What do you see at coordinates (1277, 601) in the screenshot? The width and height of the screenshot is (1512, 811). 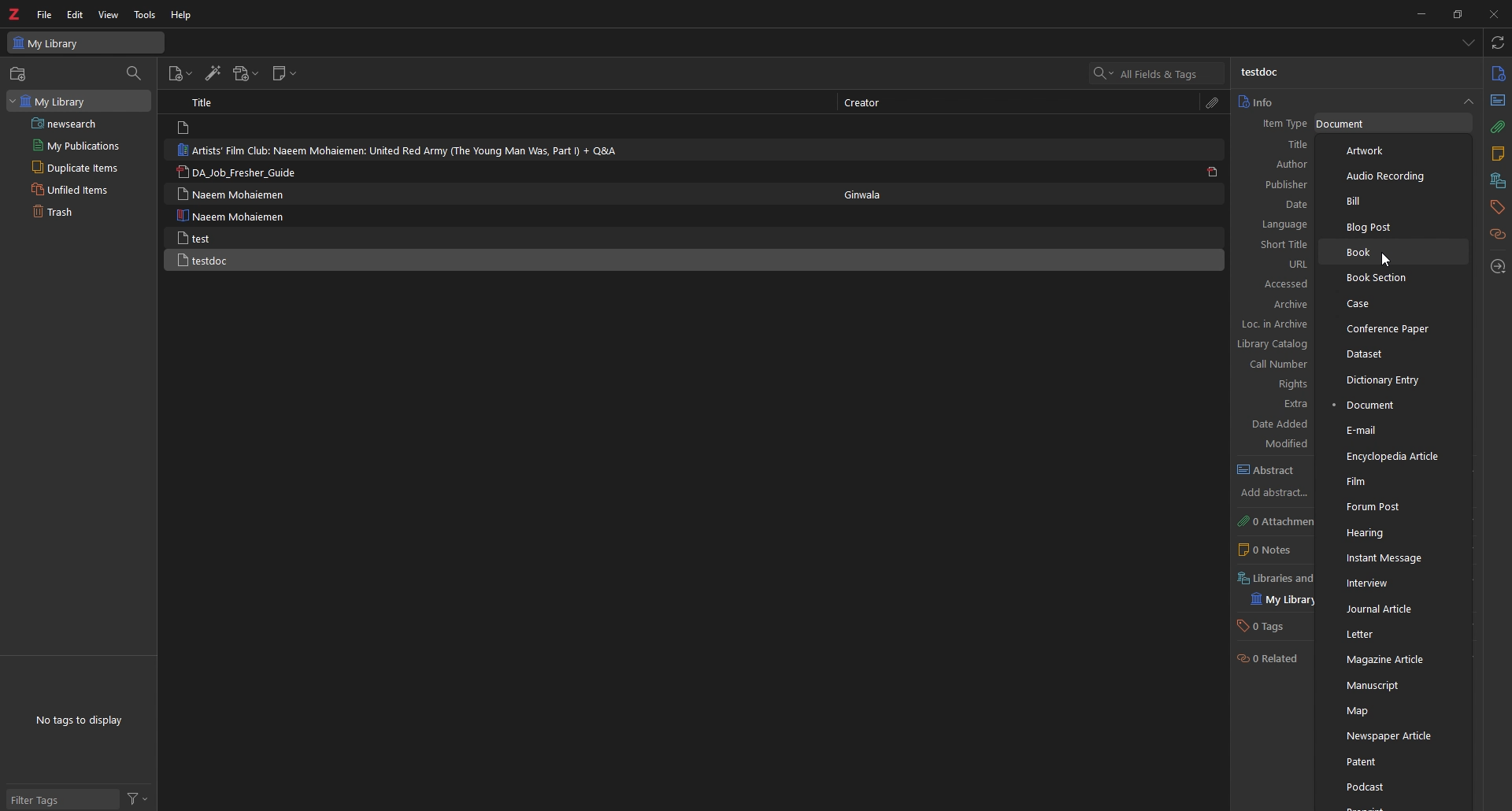 I see `My Library` at bounding box center [1277, 601].